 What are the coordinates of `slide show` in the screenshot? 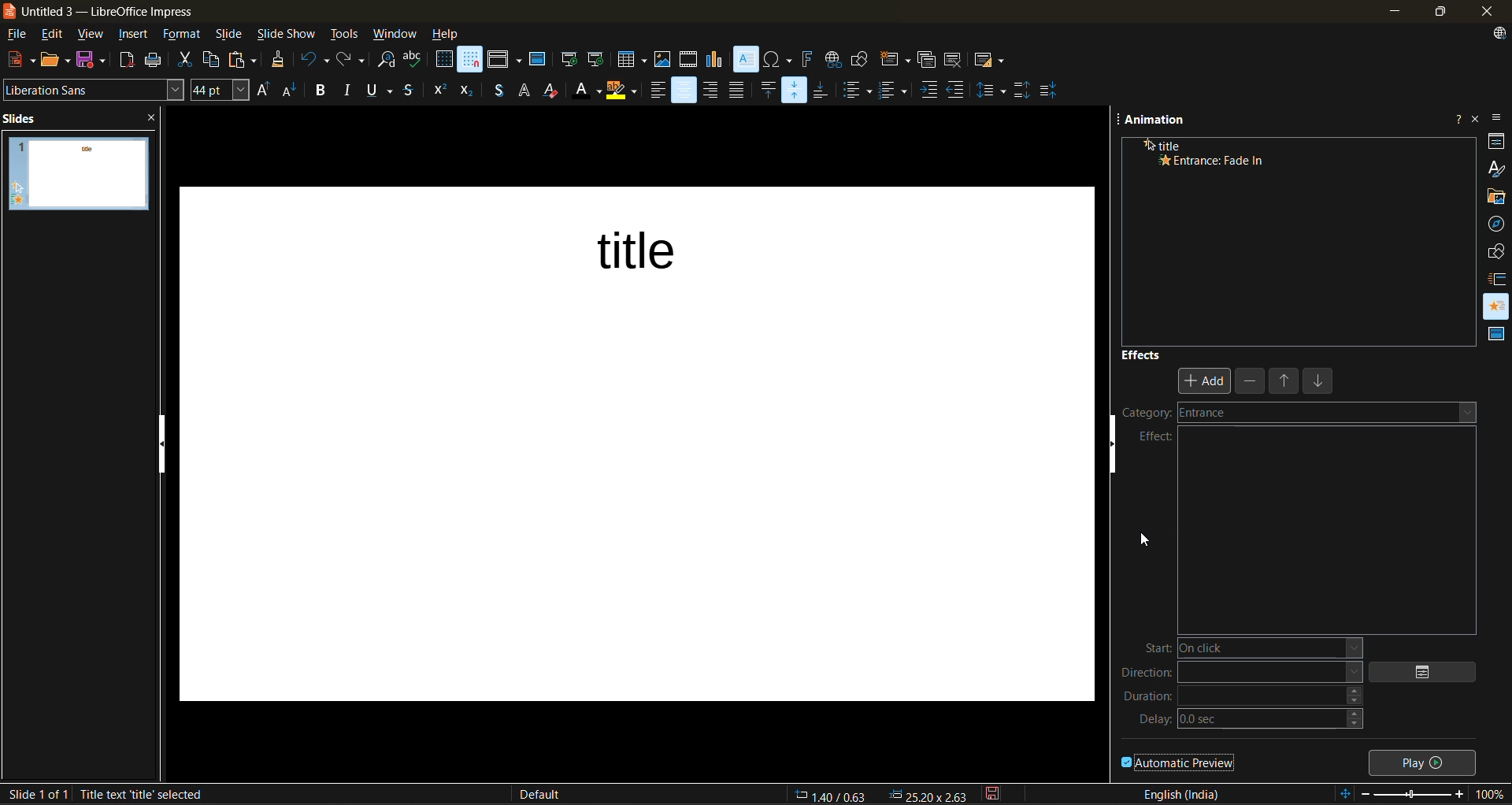 It's located at (287, 35).